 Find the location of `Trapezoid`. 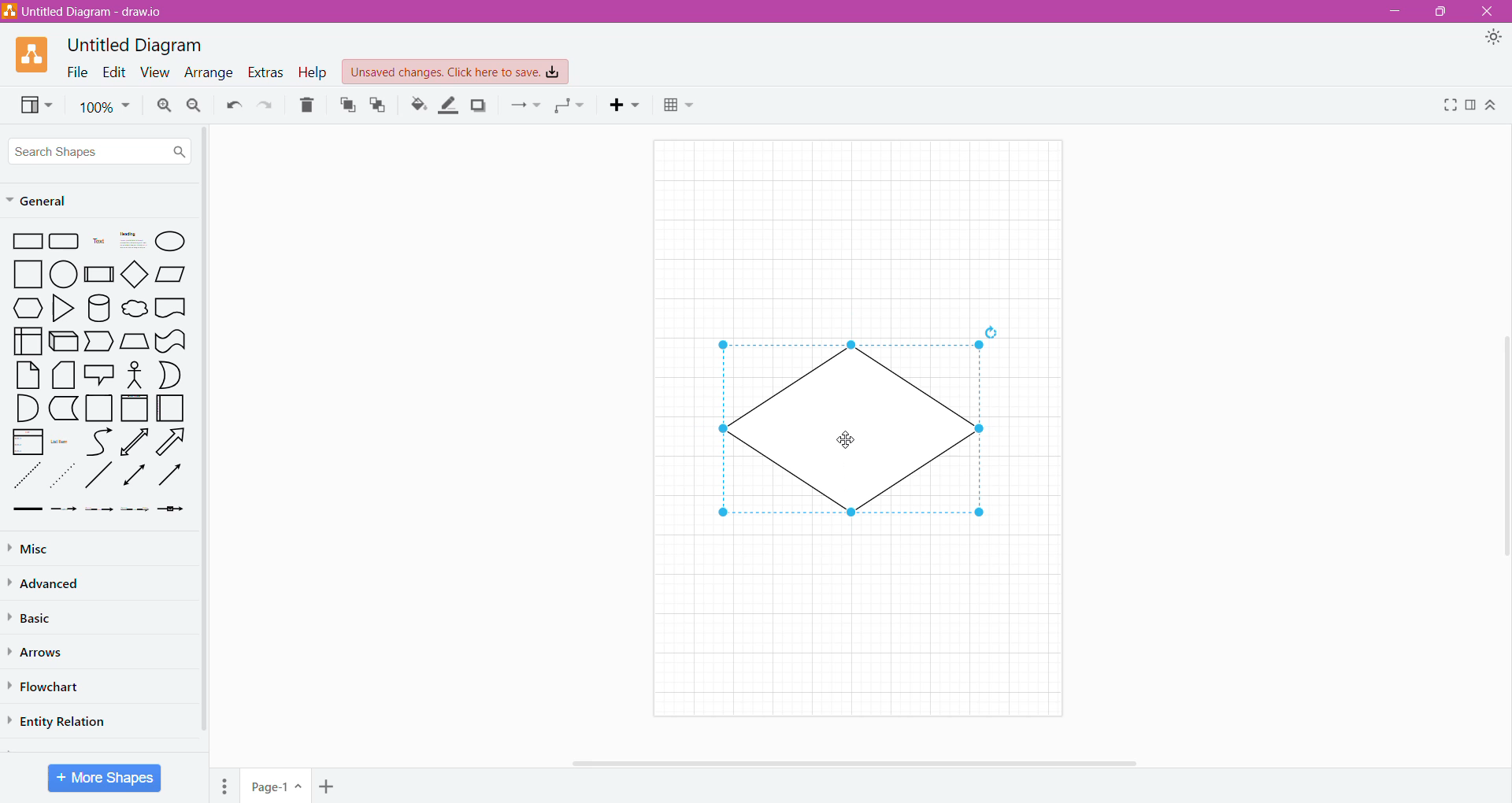

Trapezoid is located at coordinates (134, 342).